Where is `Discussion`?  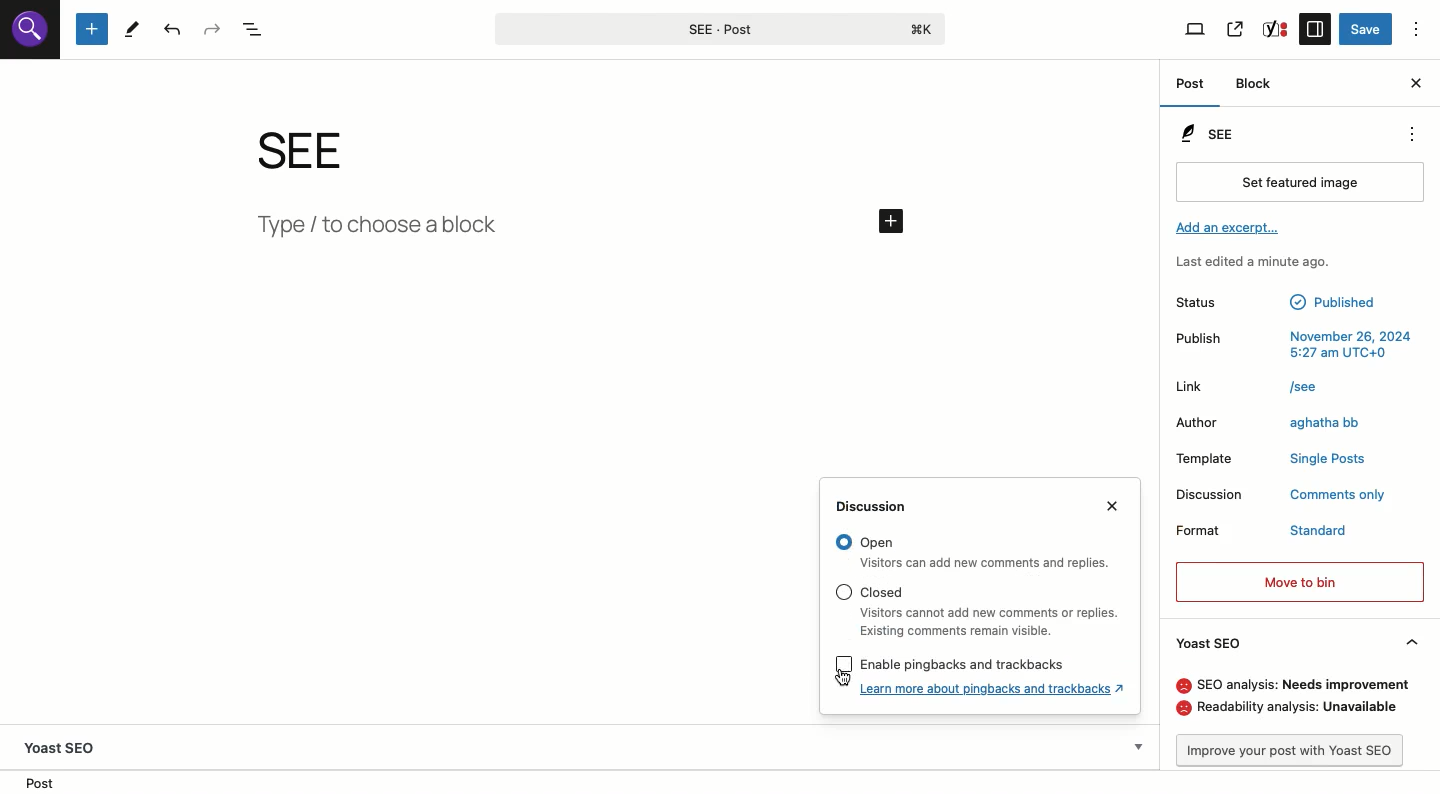
Discussion is located at coordinates (881, 507).